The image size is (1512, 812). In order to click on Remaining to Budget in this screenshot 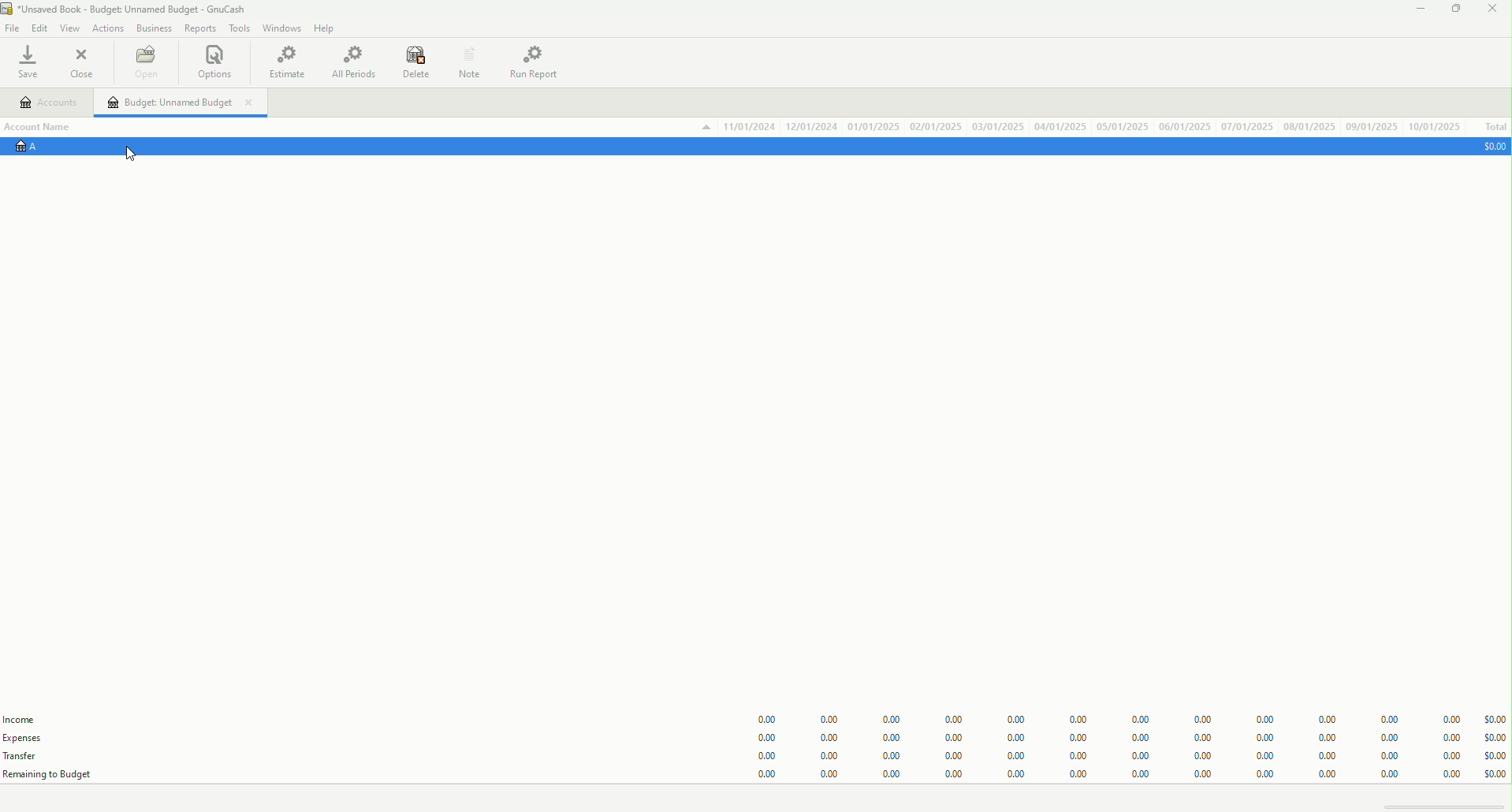, I will do `click(54, 775)`.